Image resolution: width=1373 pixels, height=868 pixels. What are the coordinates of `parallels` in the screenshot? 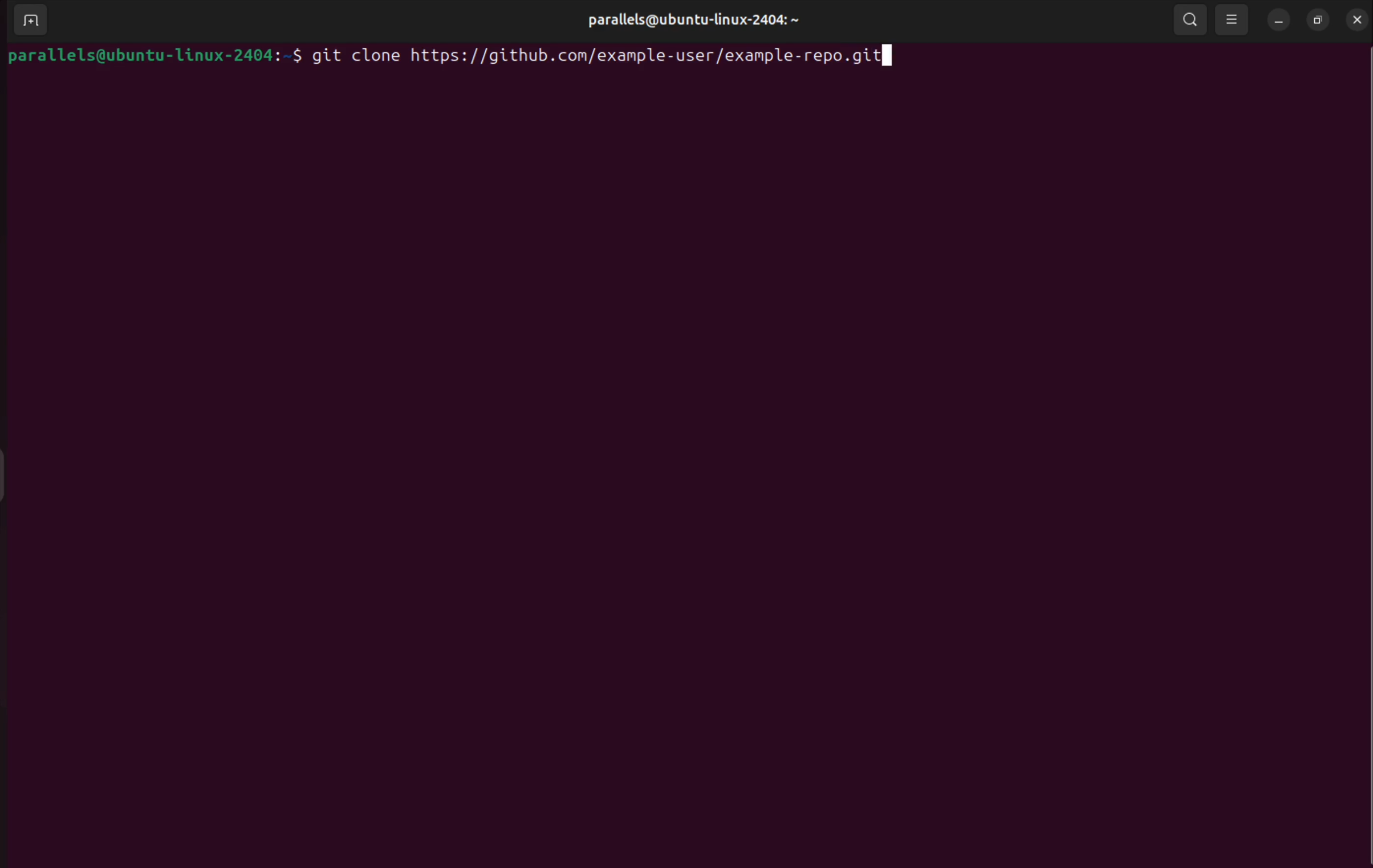 It's located at (689, 20).